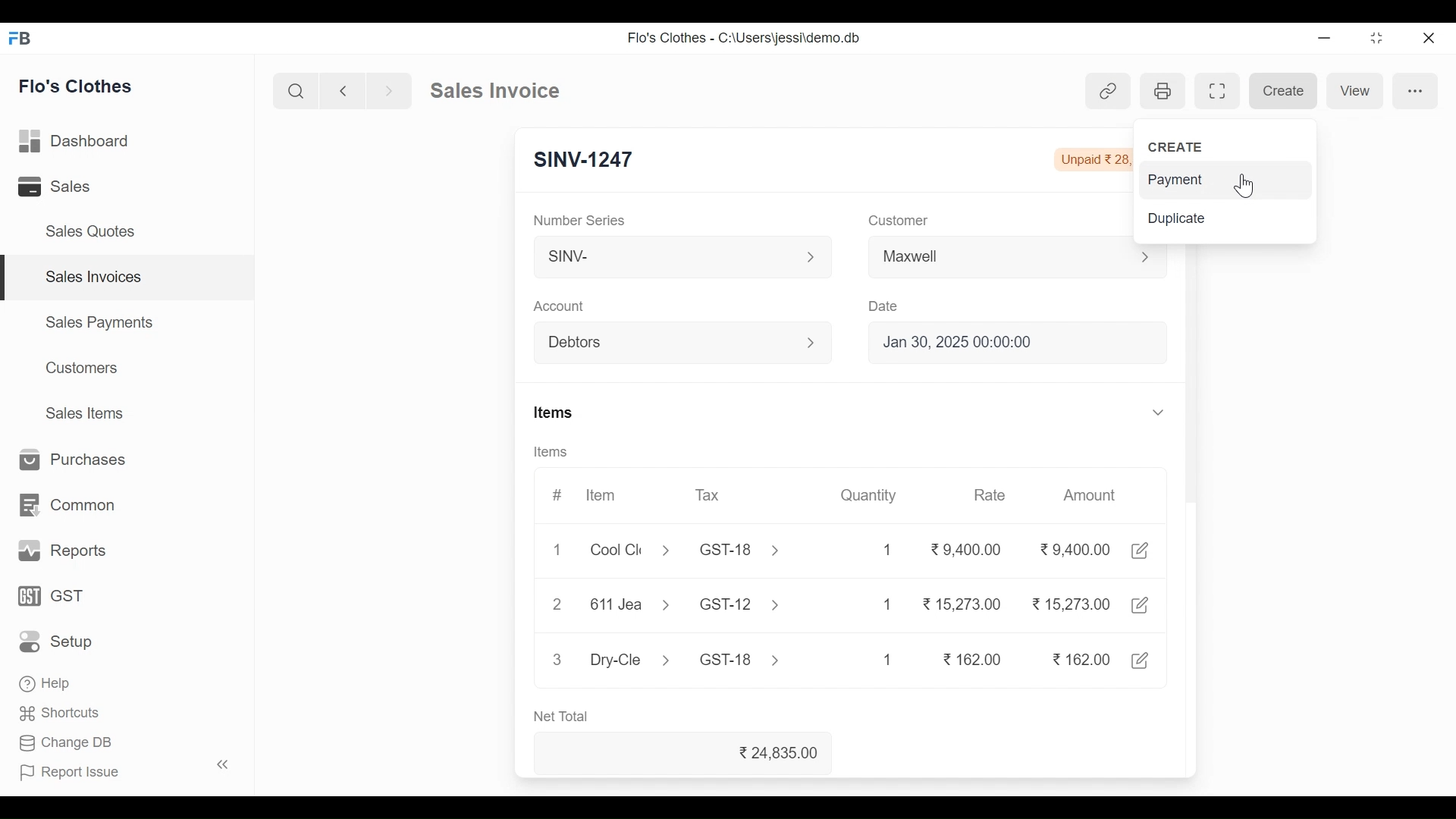  I want to click on Flo's Clothes, so click(77, 86).